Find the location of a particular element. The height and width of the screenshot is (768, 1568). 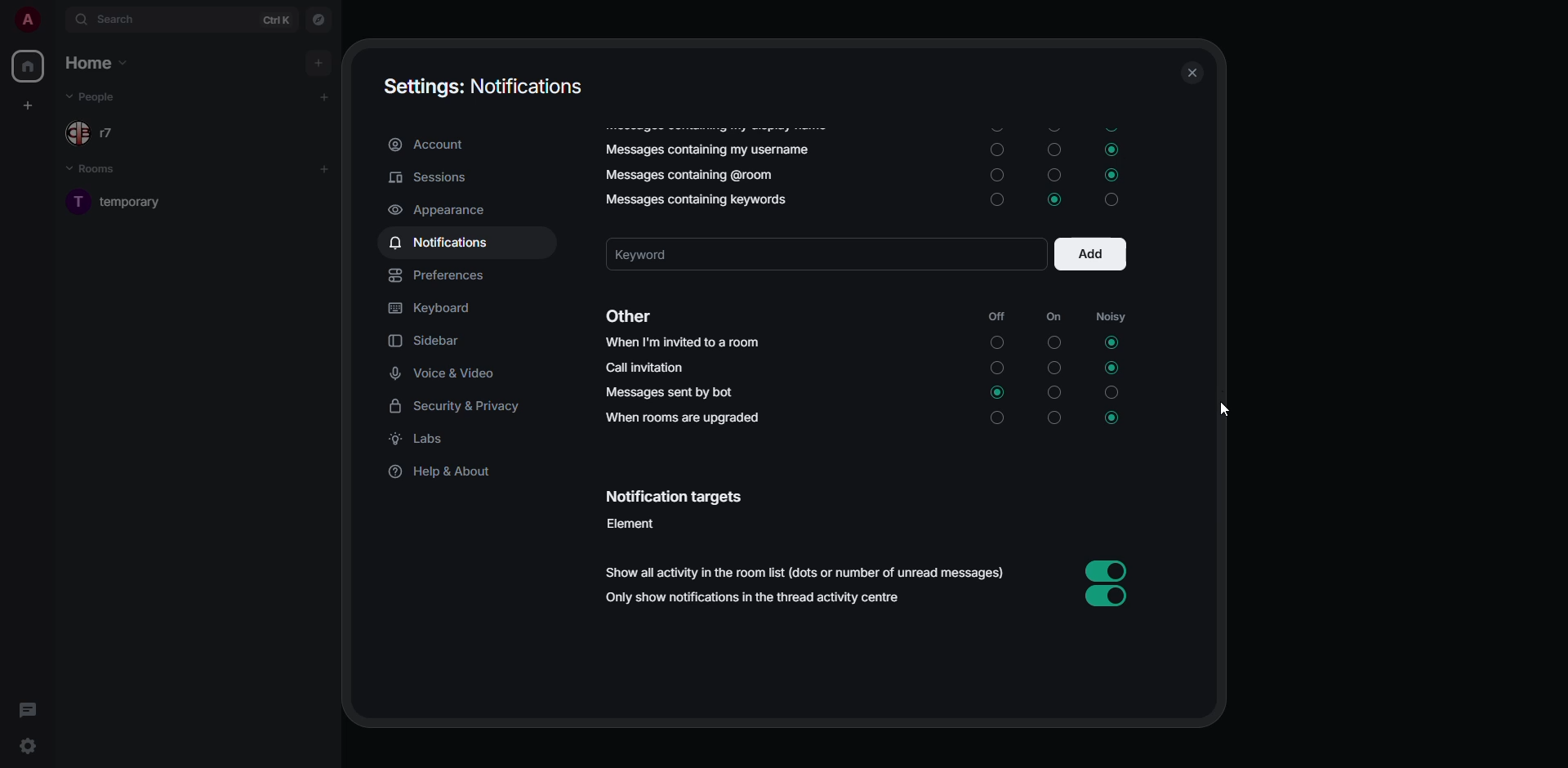

notifications is located at coordinates (443, 243).